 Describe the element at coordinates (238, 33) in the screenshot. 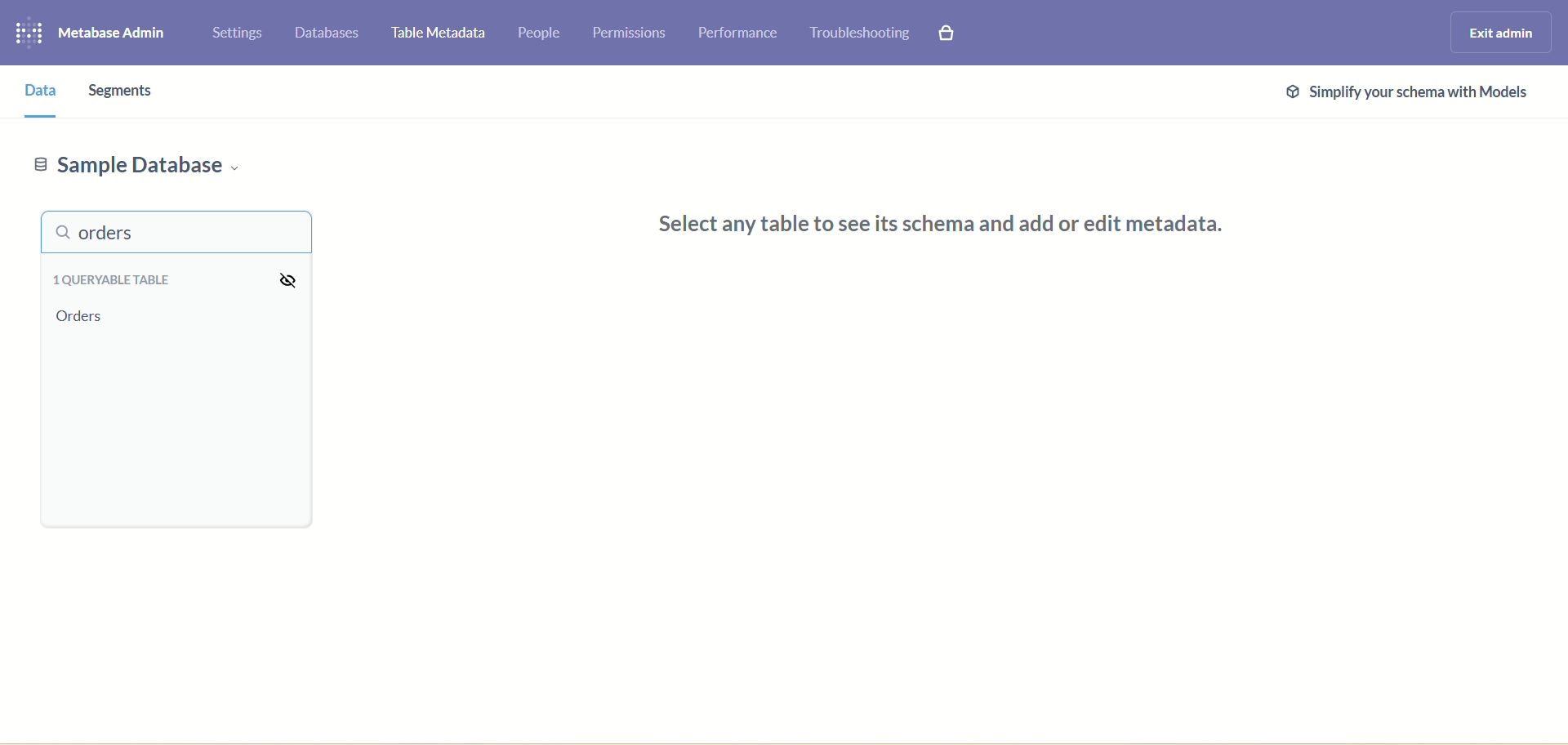

I see `settings` at that location.